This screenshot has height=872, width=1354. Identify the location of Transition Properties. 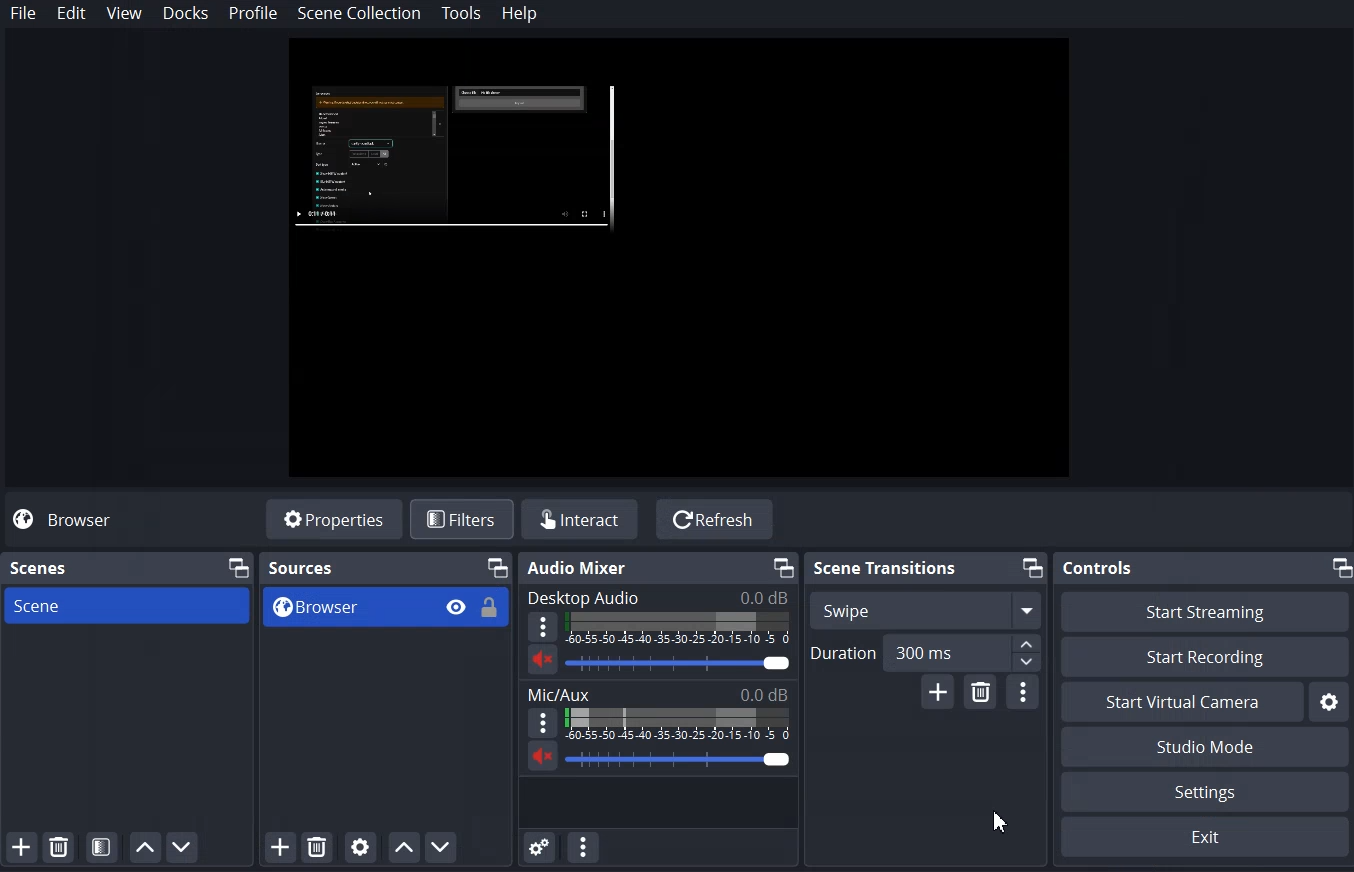
(1022, 692).